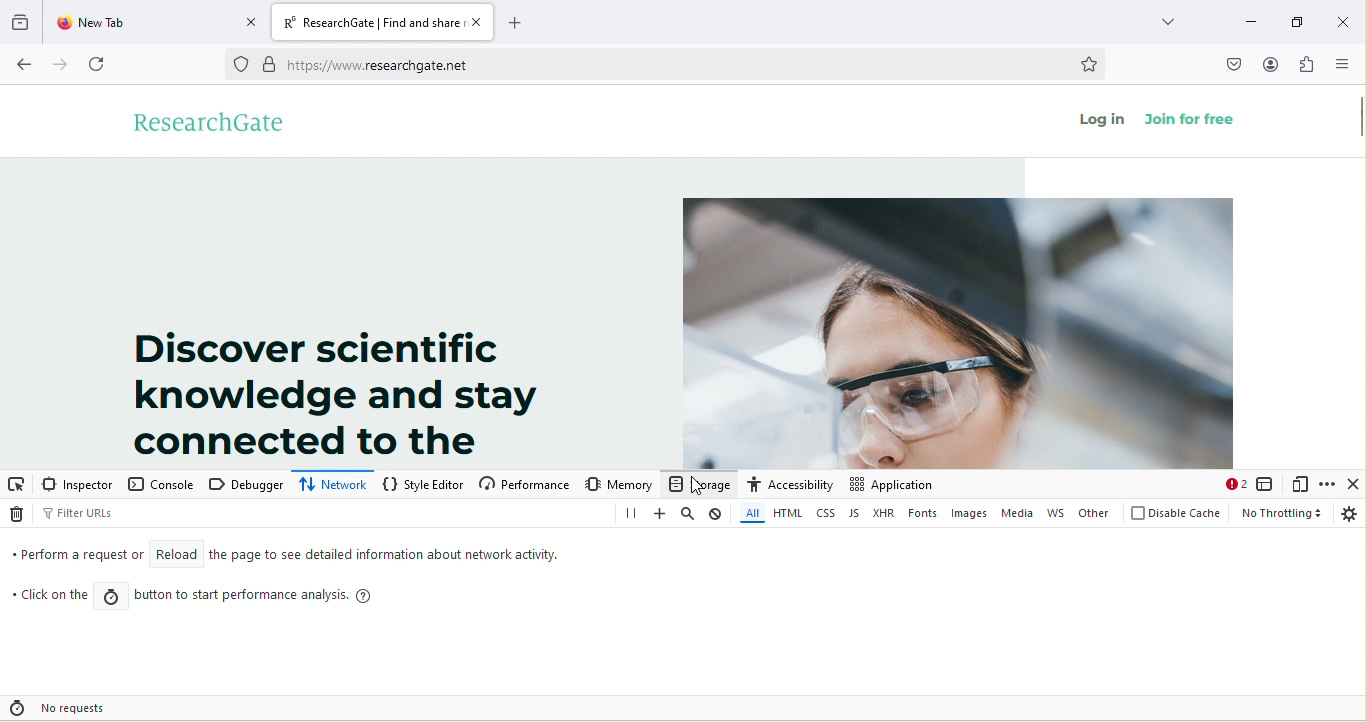 The image size is (1366, 722). What do you see at coordinates (882, 513) in the screenshot?
I see `xhr` at bounding box center [882, 513].